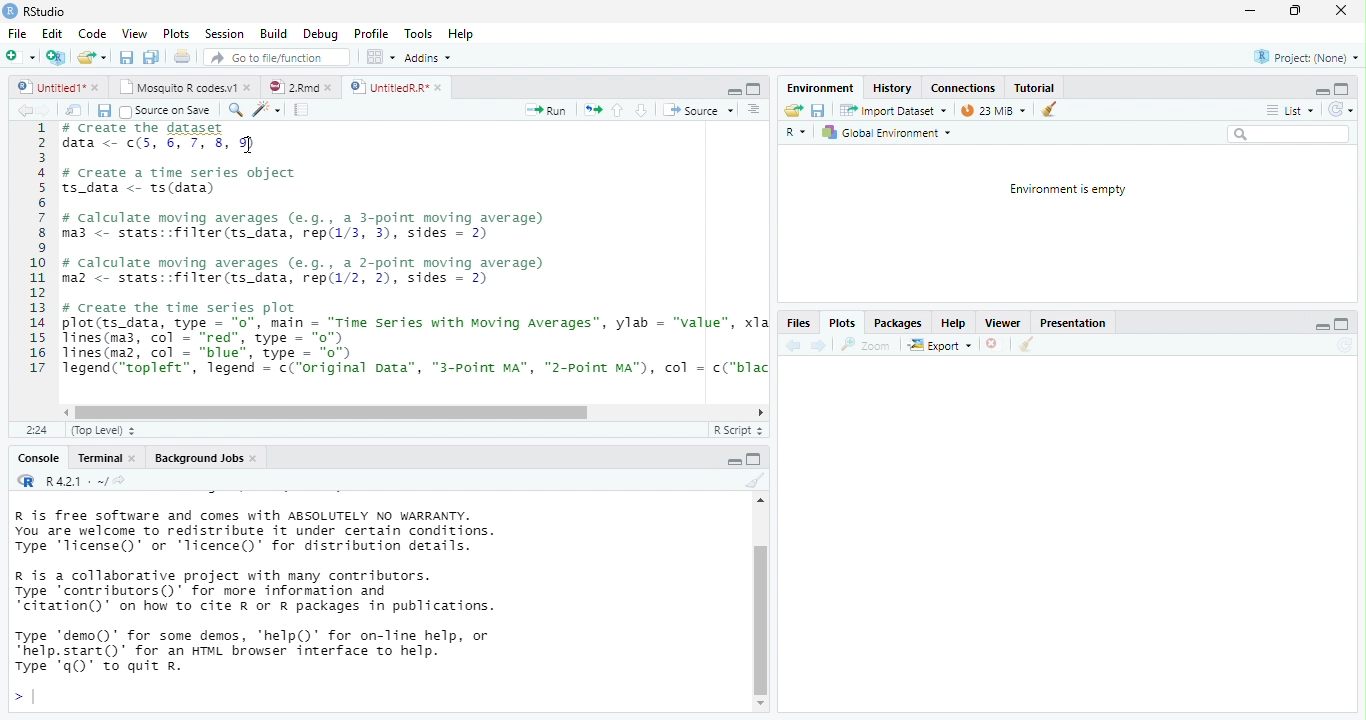  What do you see at coordinates (547, 111) in the screenshot?
I see `Run` at bounding box center [547, 111].